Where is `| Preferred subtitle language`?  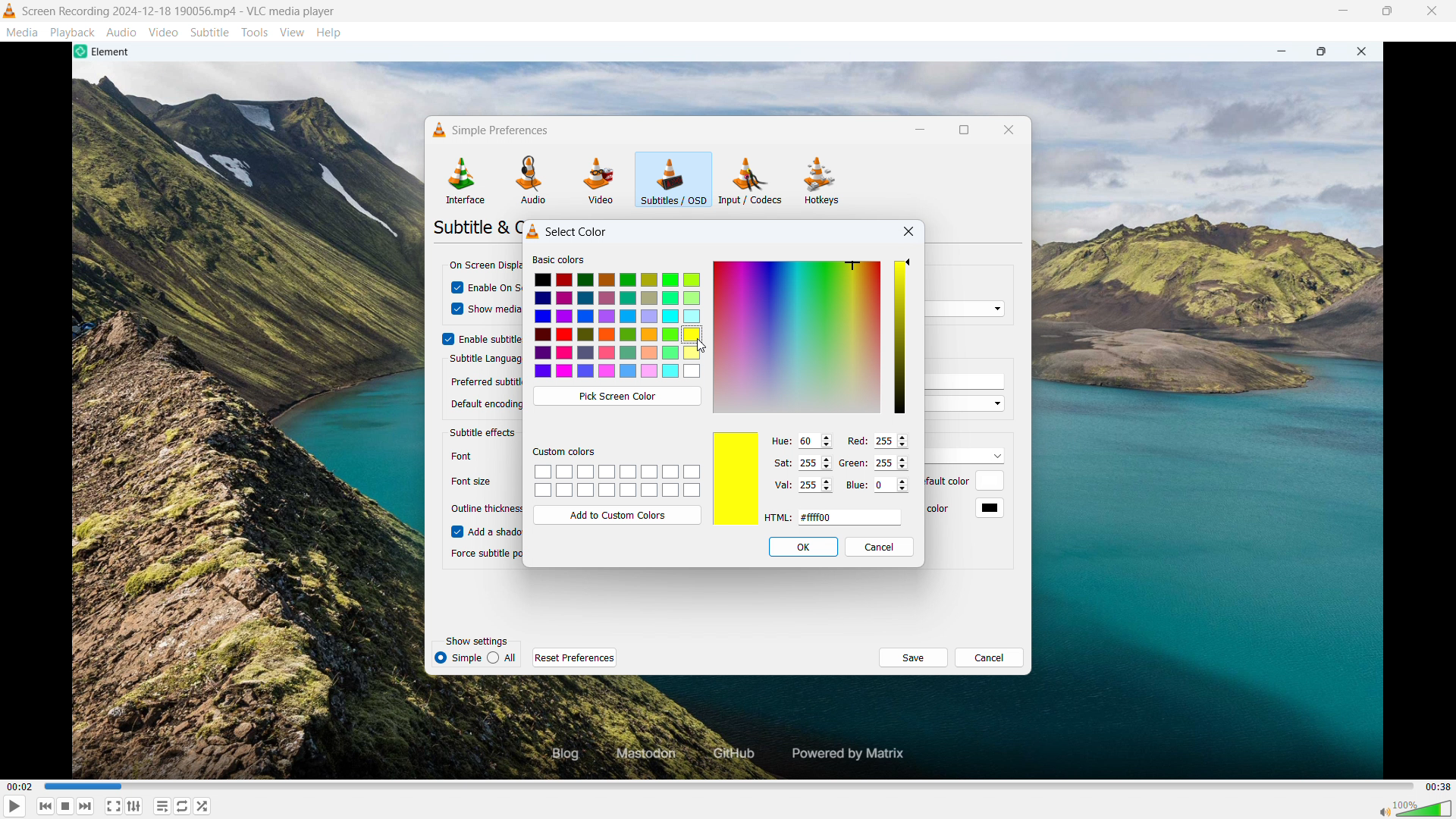
| Preferred subtitle language is located at coordinates (484, 379).